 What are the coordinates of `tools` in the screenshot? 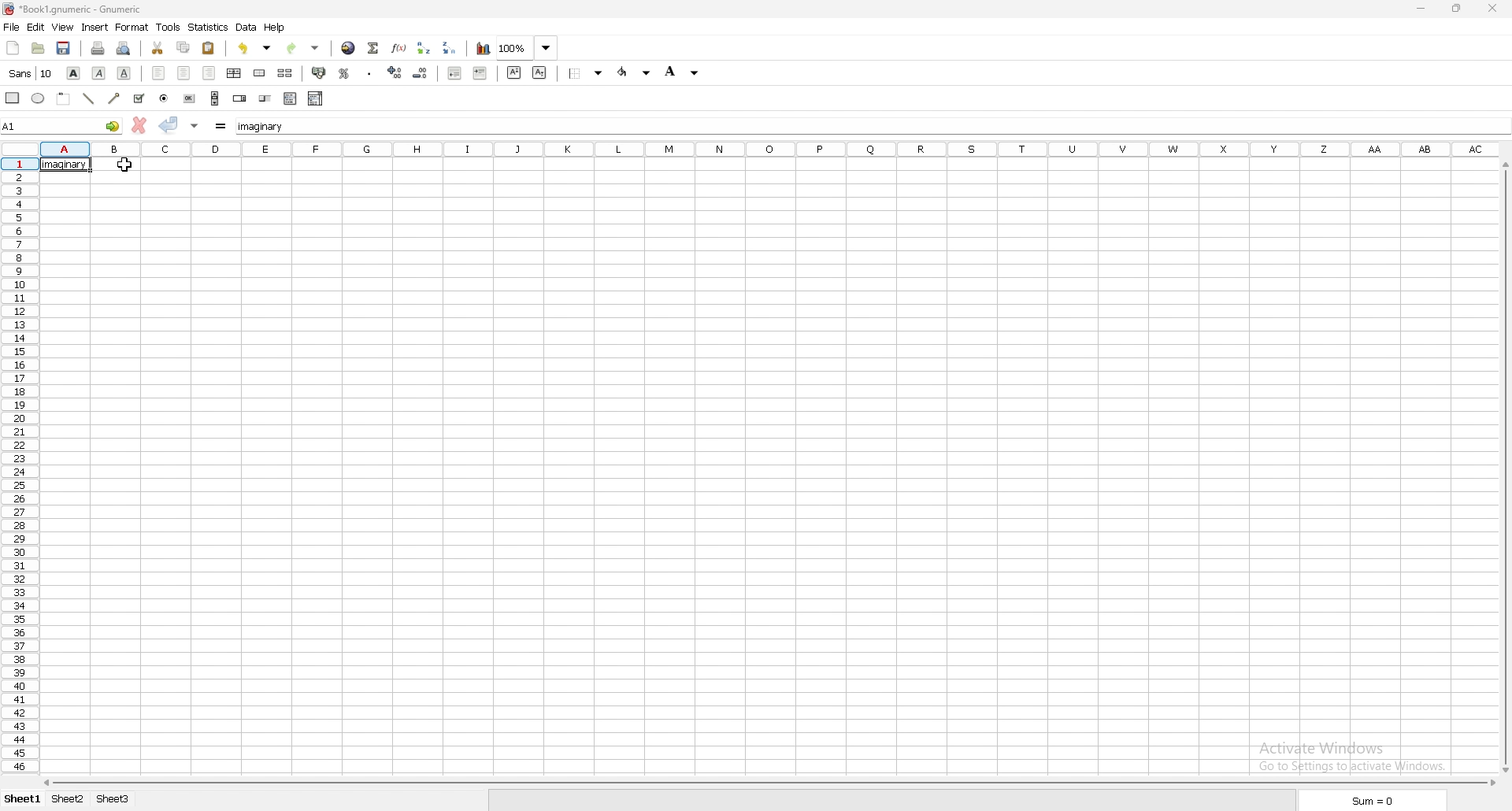 It's located at (167, 27).